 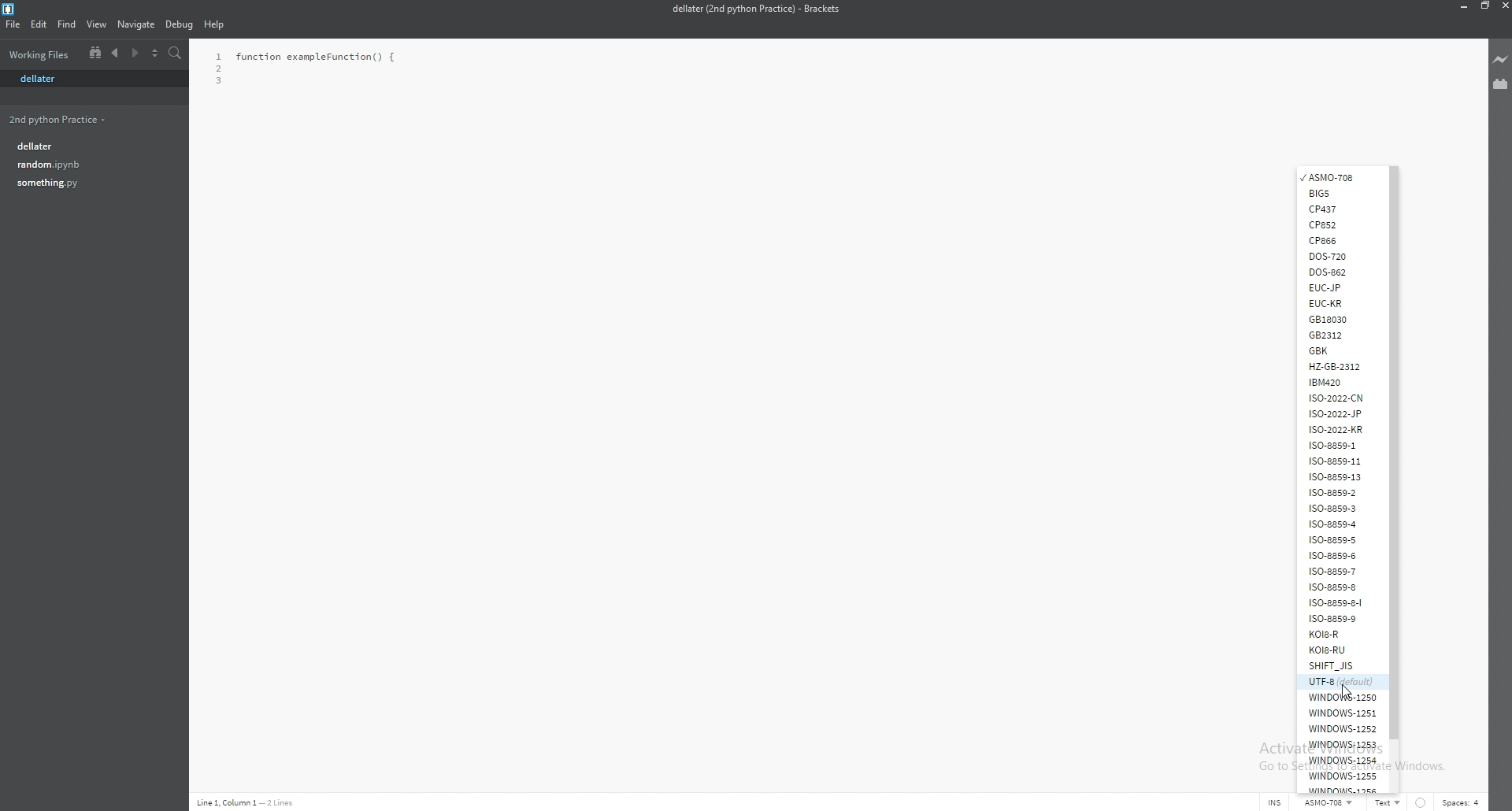 I want to click on minimize, so click(x=1462, y=6).